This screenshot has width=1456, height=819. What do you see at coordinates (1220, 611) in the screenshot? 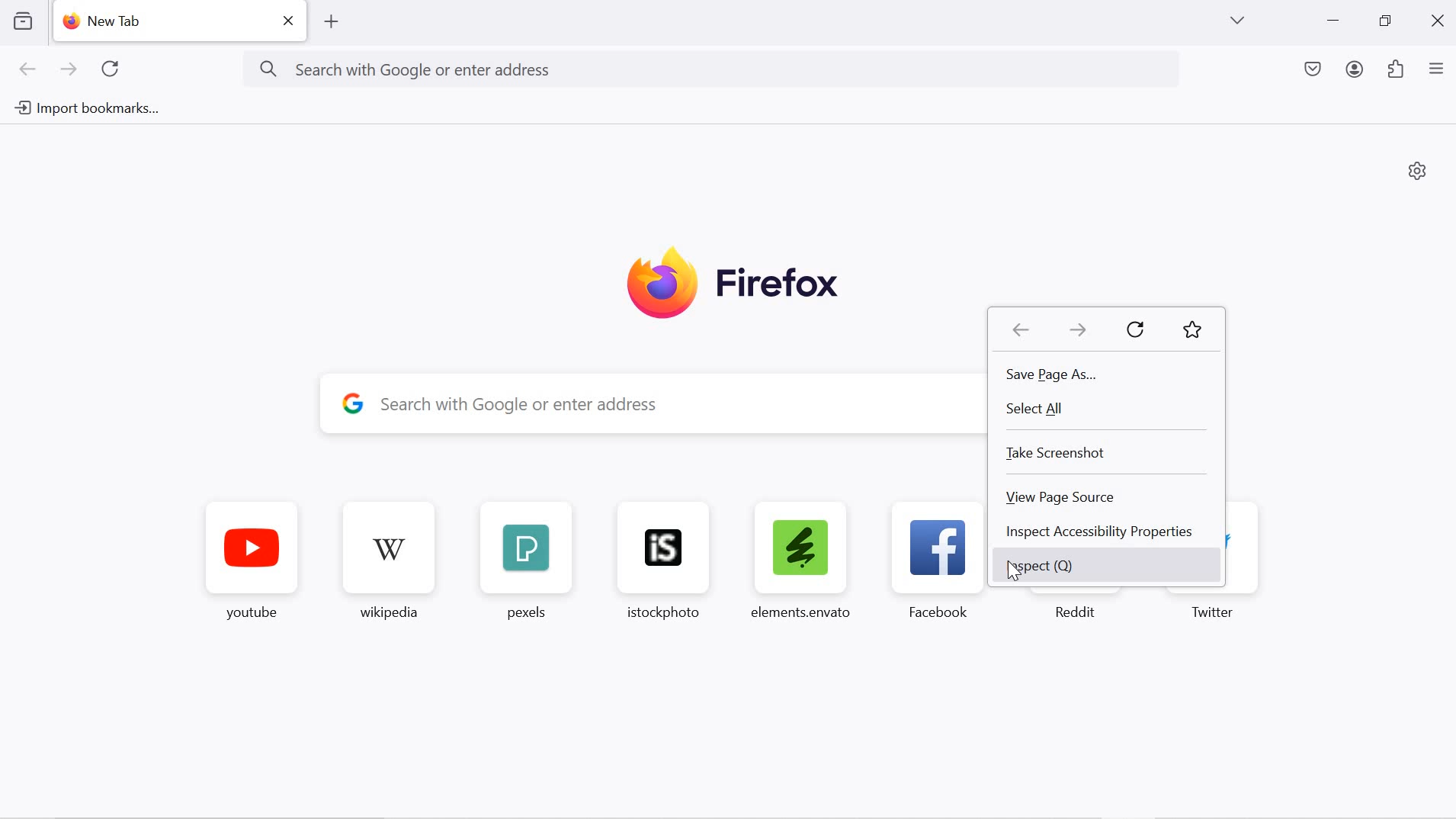
I see `Twitter` at bounding box center [1220, 611].